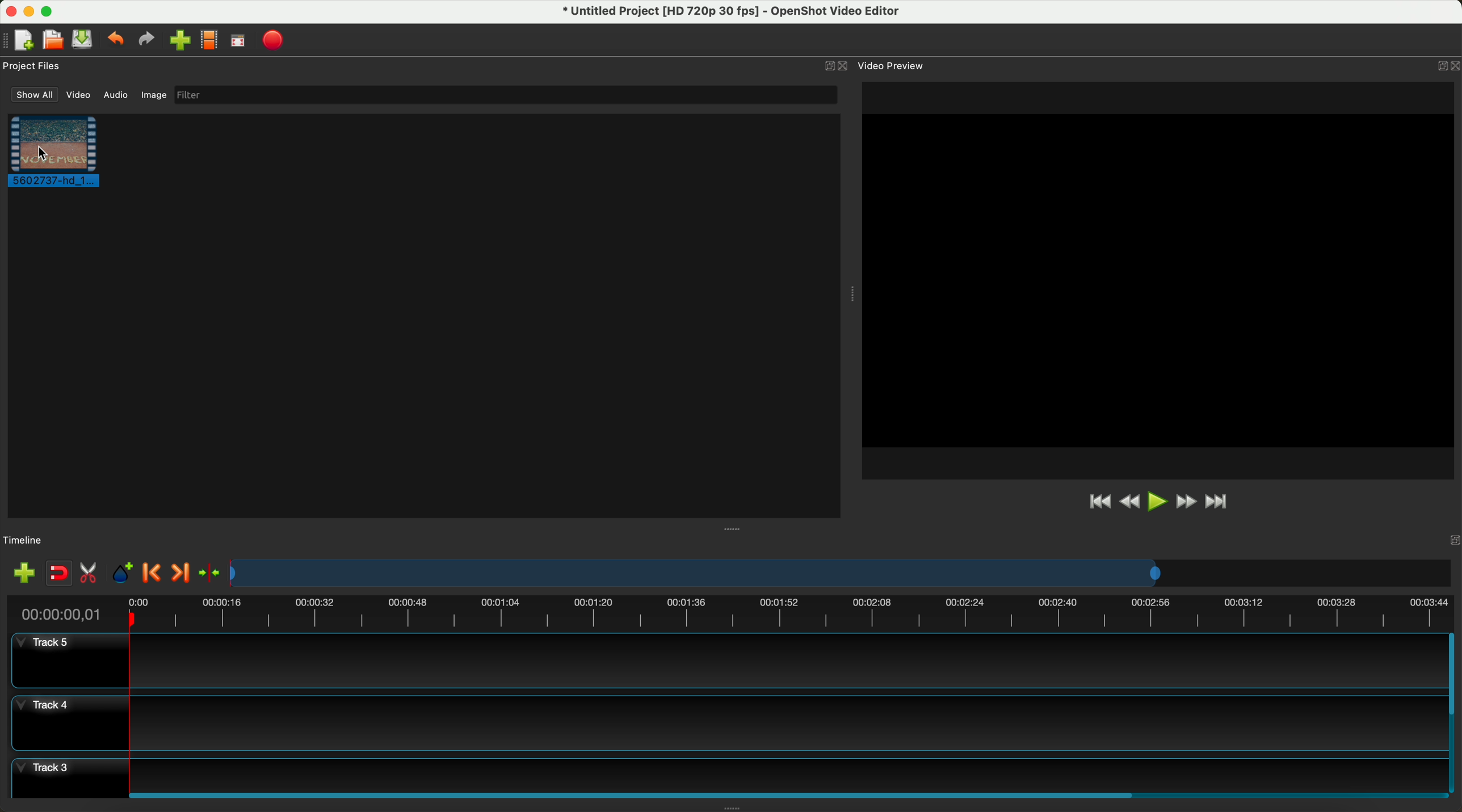 Image resolution: width=1462 pixels, height=812 pixels. I want to click on , so click(1450, 540).